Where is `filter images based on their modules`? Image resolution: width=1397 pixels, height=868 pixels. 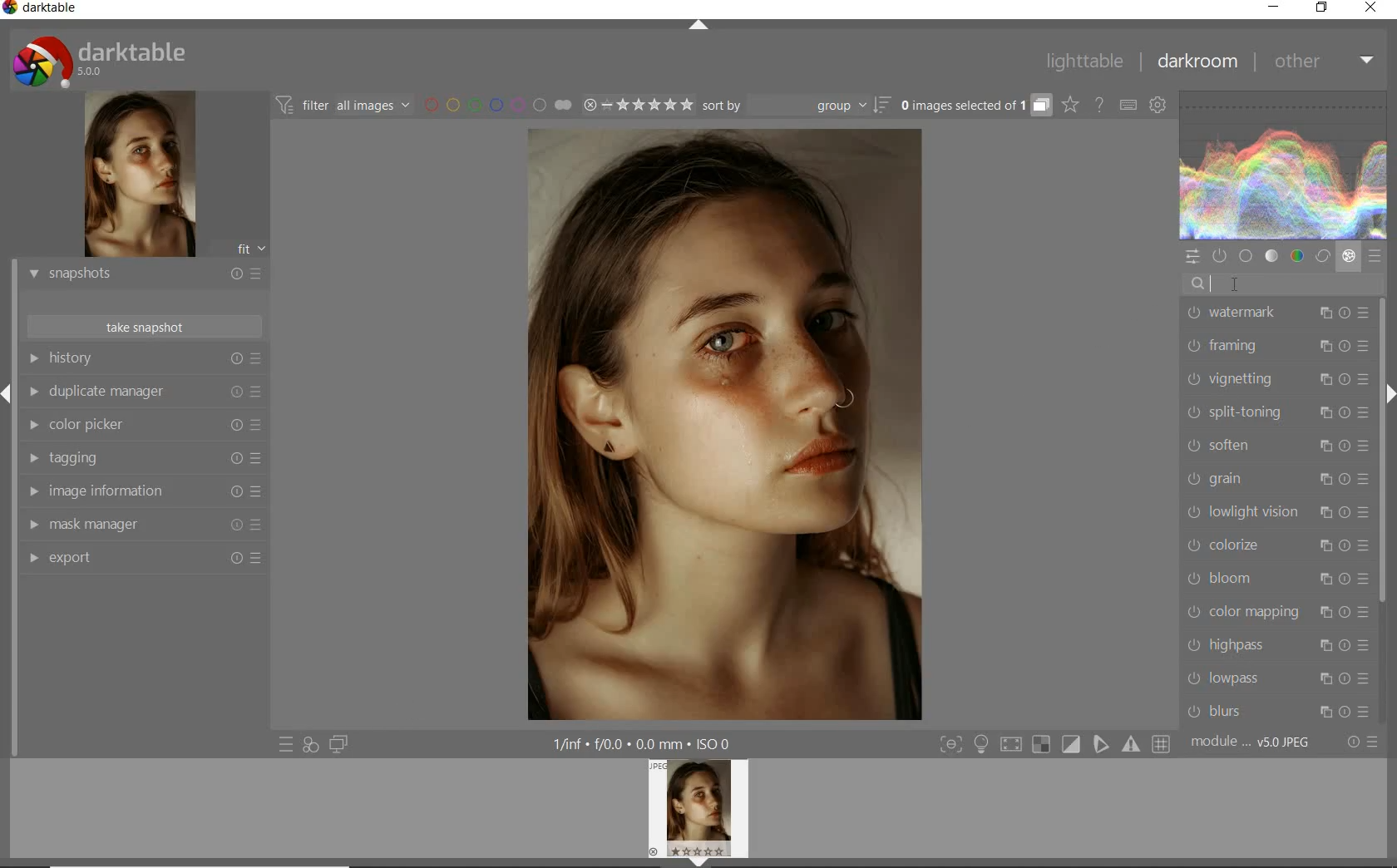
filter images based on their modules is located at coordinates (341, 104).